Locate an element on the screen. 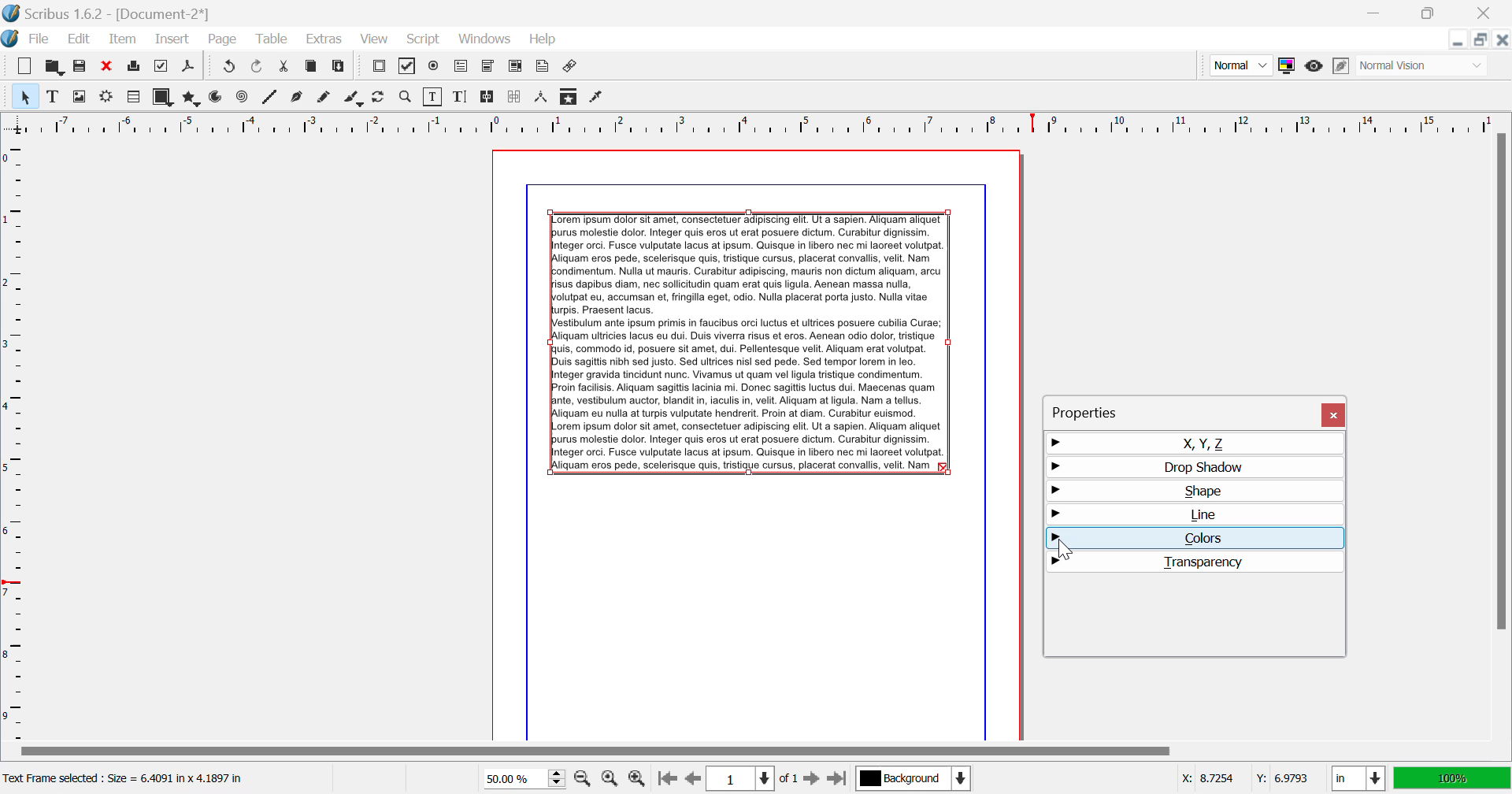 The image size is (1512, 794). Render Frame is located at coordinates (132, 98).